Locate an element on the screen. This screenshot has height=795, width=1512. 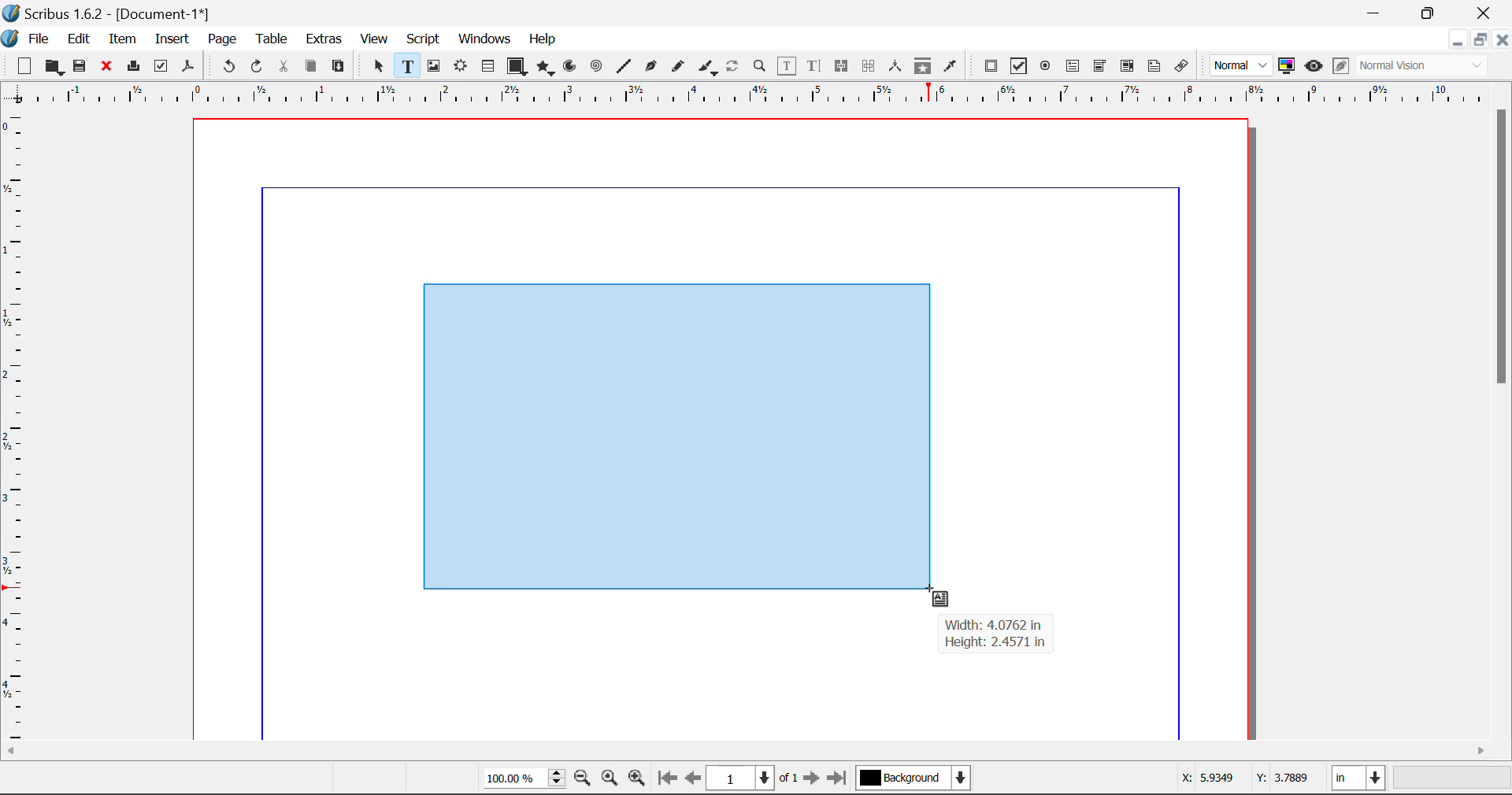
Zoom Out is located at coordinates (584, 780).